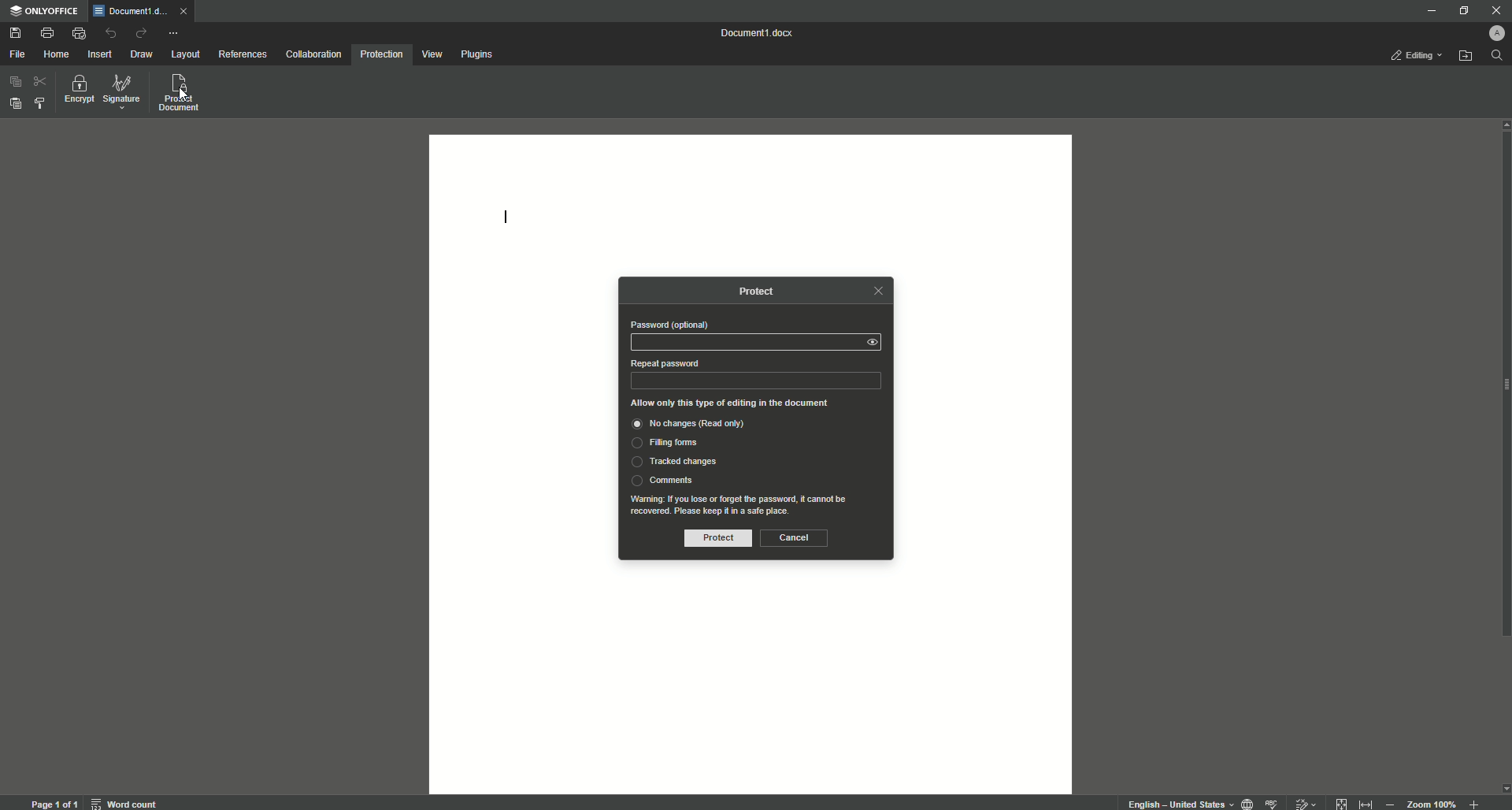 Image resolution: width=1512 pixels, height=810 pixels. Describe the element at coordinates (1179, 804) in the screenshot. I see `text language` at that location.